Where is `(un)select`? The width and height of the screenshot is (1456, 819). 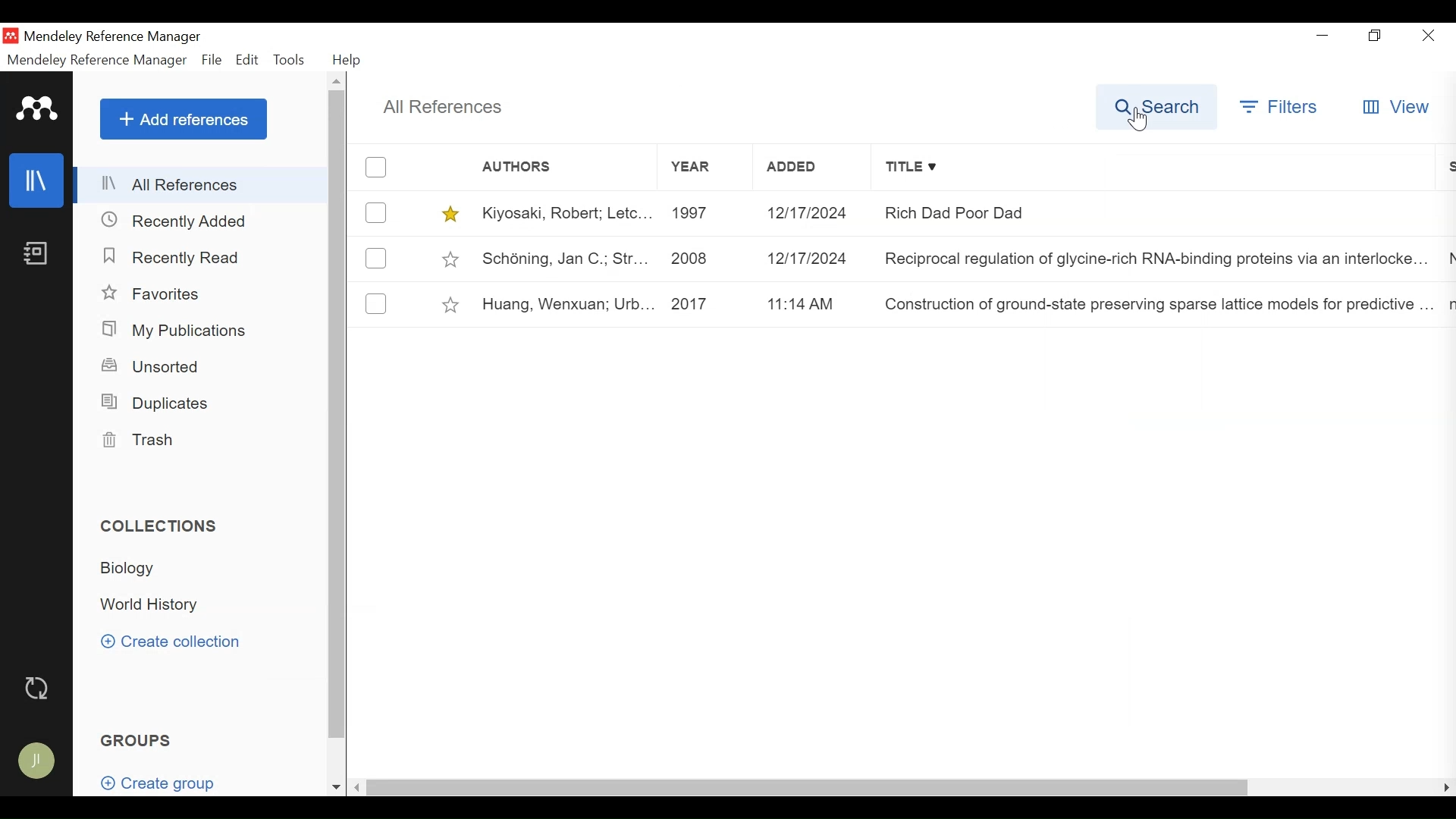 (un)select is located at coordinates (375, 212).